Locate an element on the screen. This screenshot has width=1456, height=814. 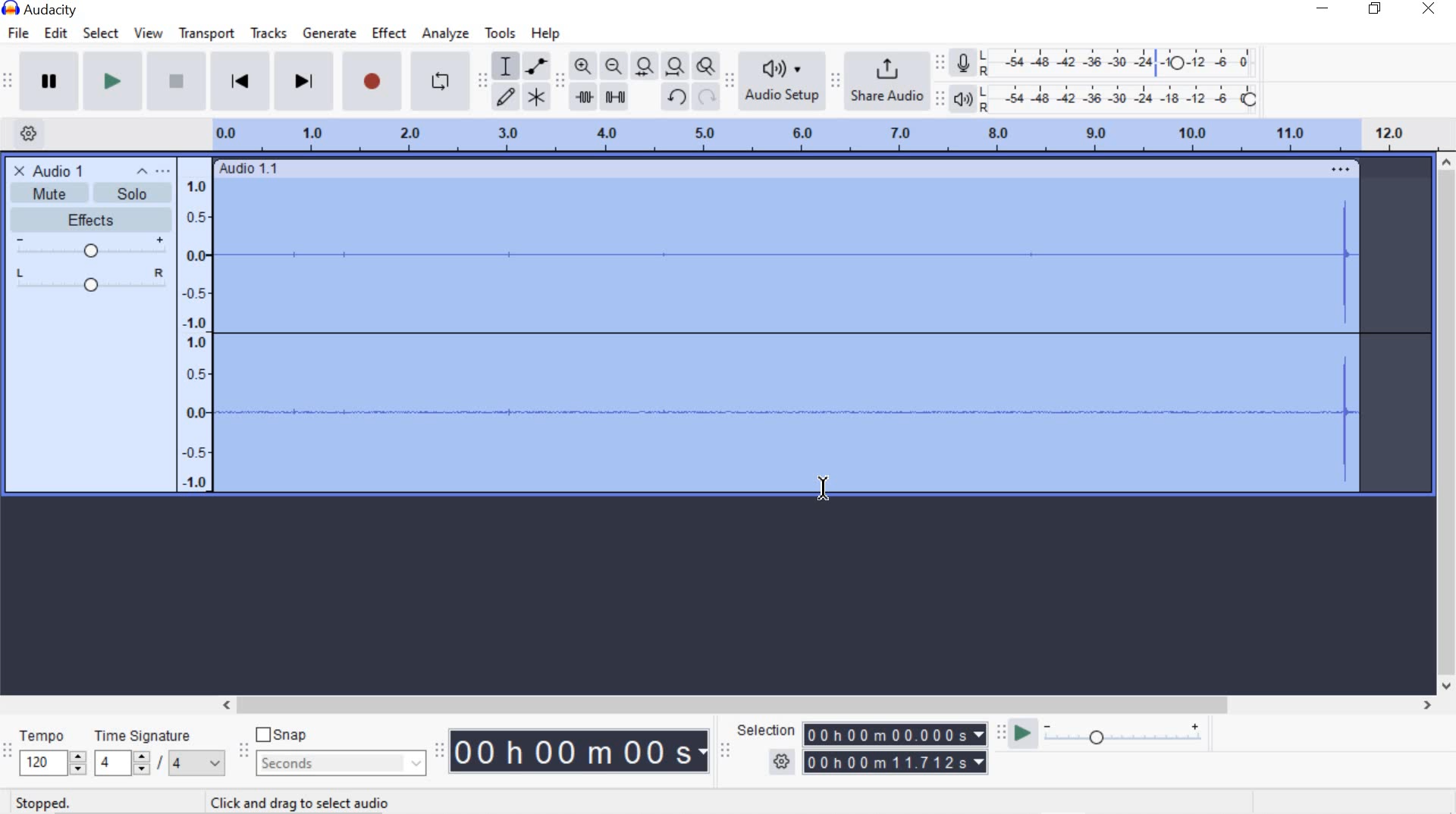
redo is located at coordinates (707, 98).